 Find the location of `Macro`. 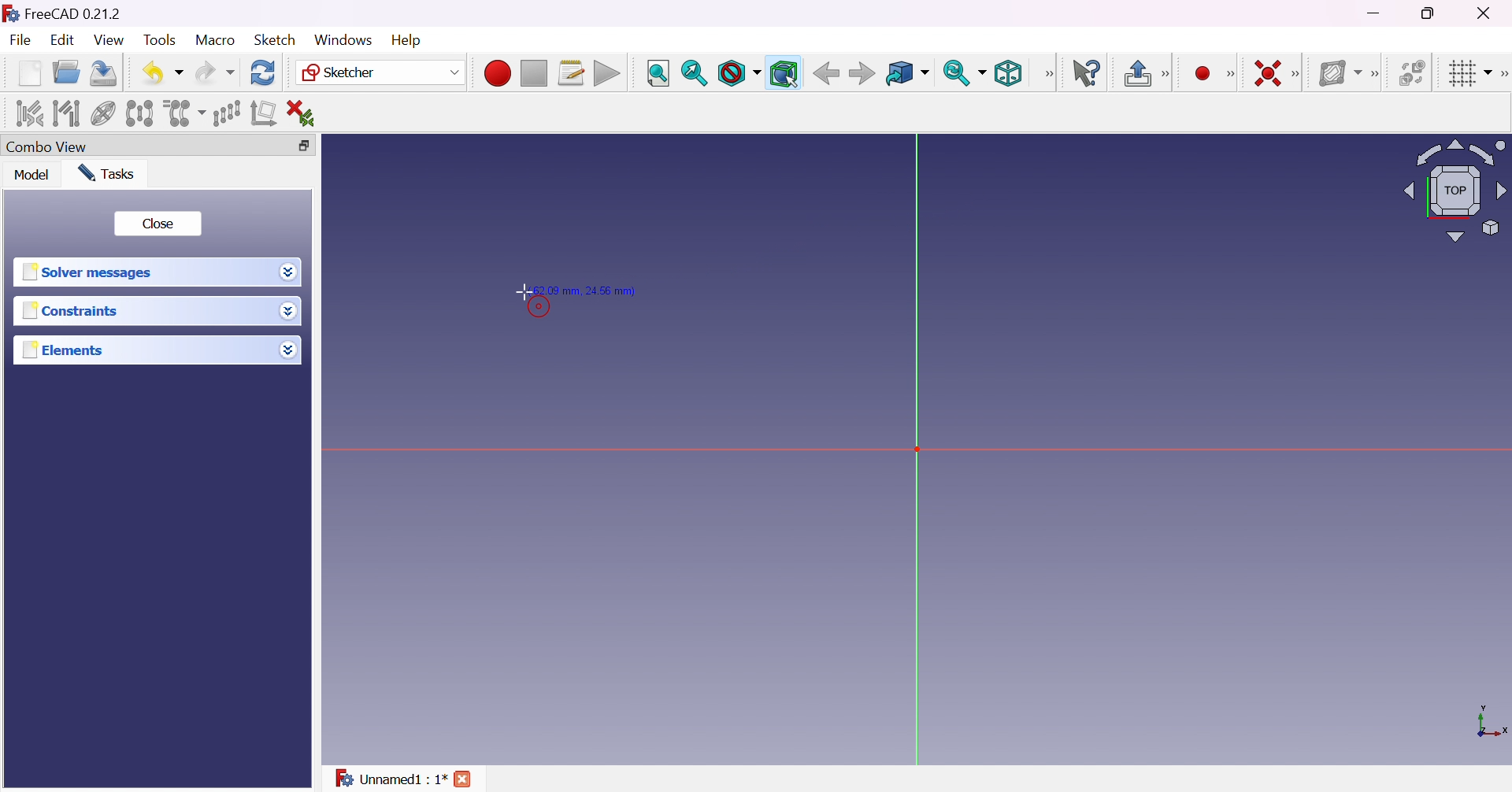

Macro is located at coordinates (216, 39).